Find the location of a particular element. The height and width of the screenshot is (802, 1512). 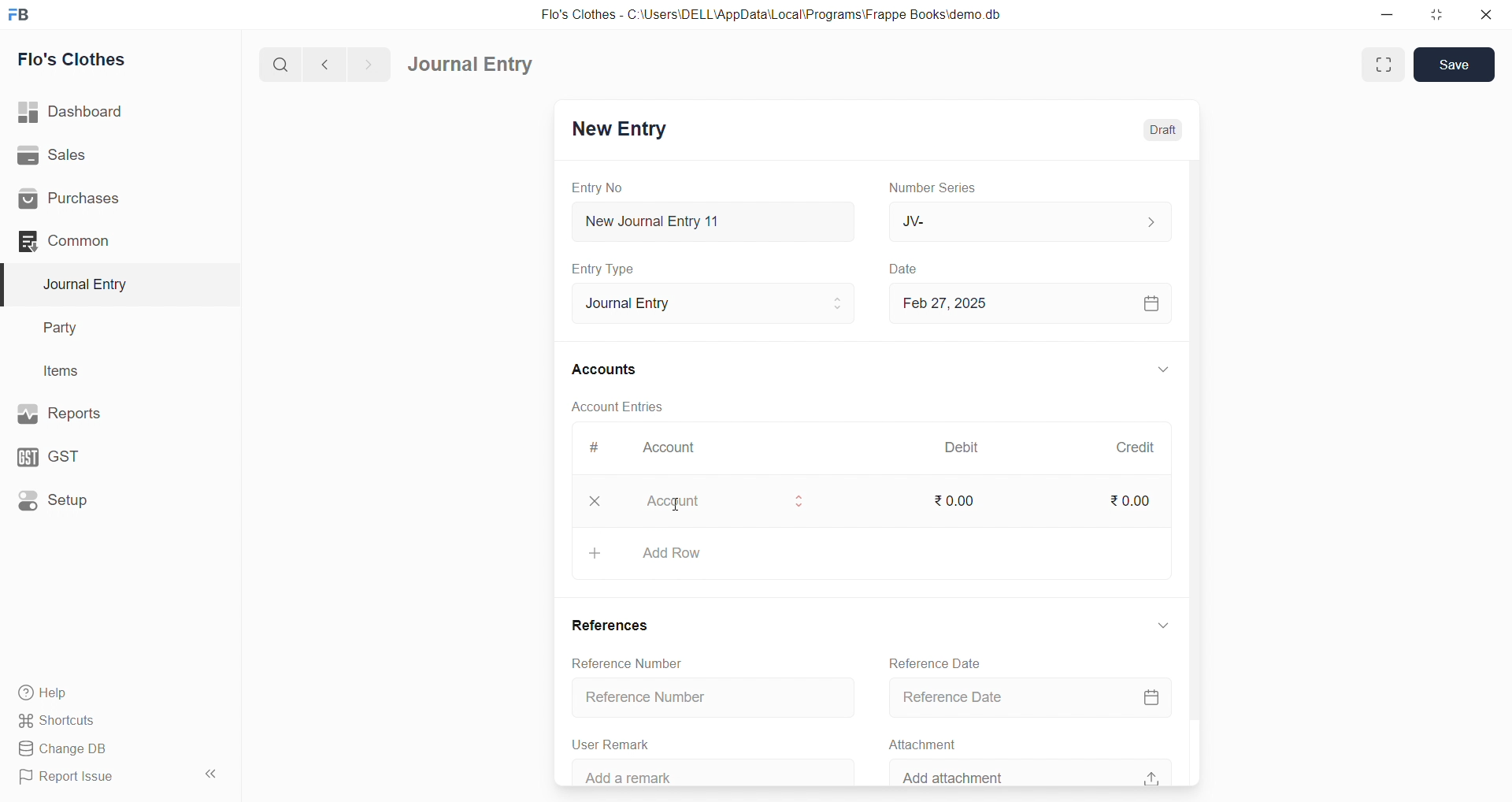

Account is located at coordinates (676, 446).